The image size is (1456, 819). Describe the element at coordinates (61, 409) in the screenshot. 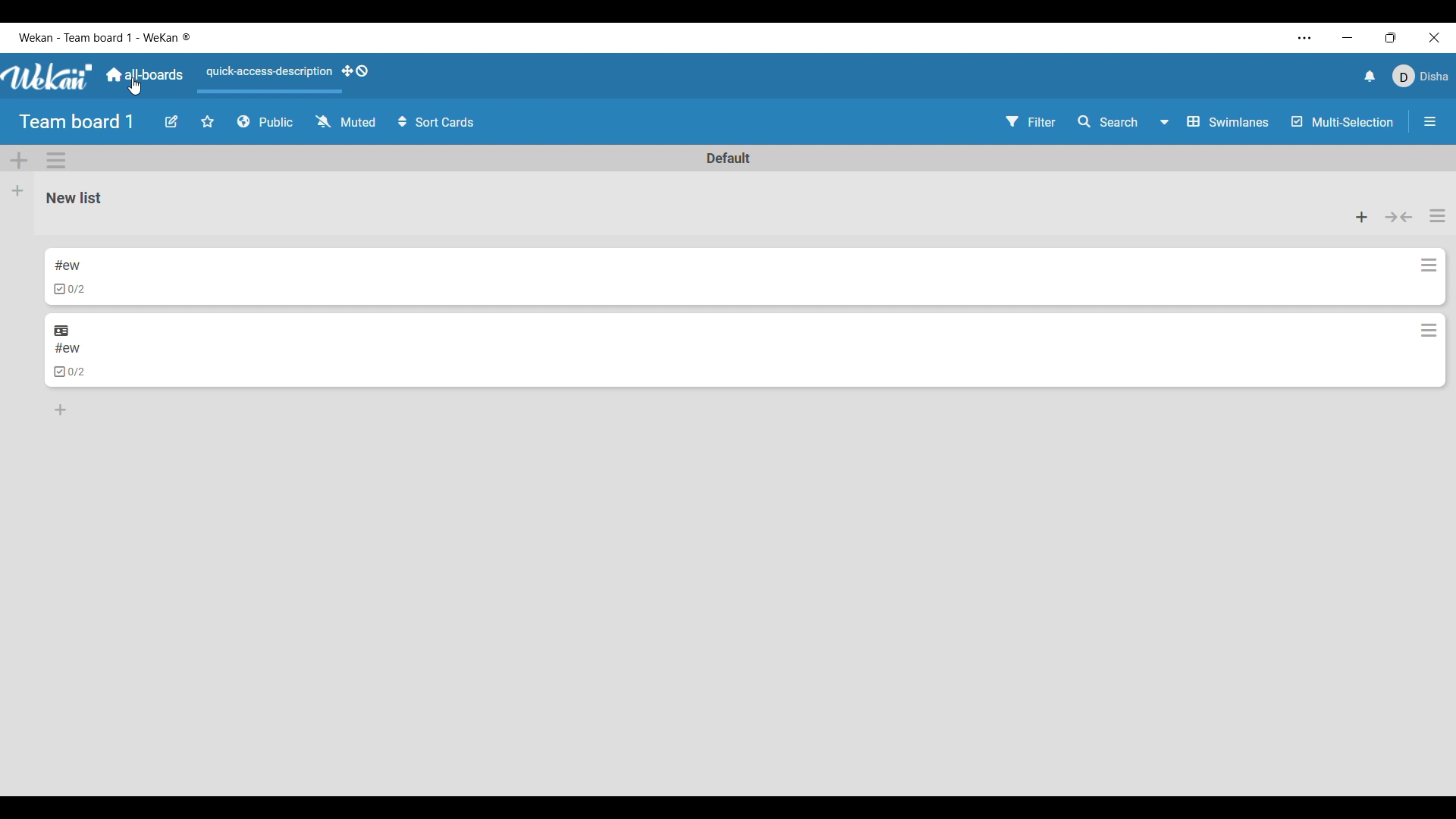

I see `Add card to bottom of list` at that location.